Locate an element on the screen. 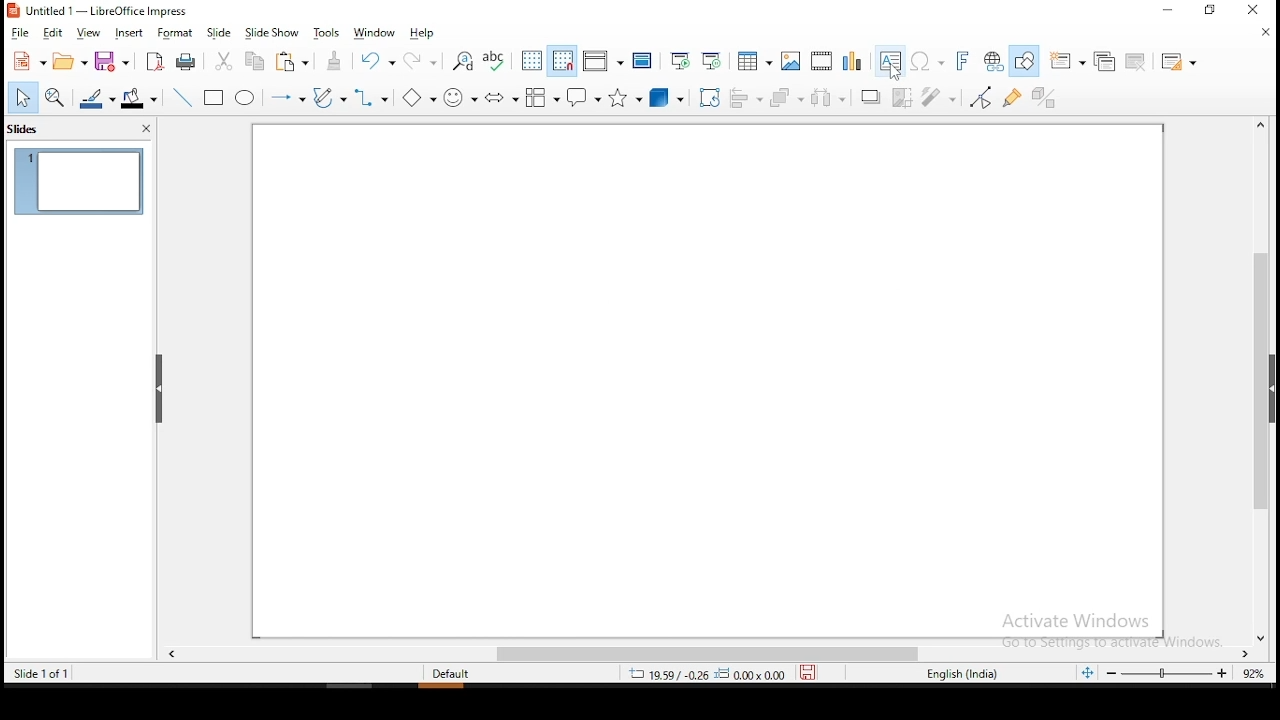 This screenshot has width=1280, height=720. toggle extrusion is located at coordinates (1048, 100).